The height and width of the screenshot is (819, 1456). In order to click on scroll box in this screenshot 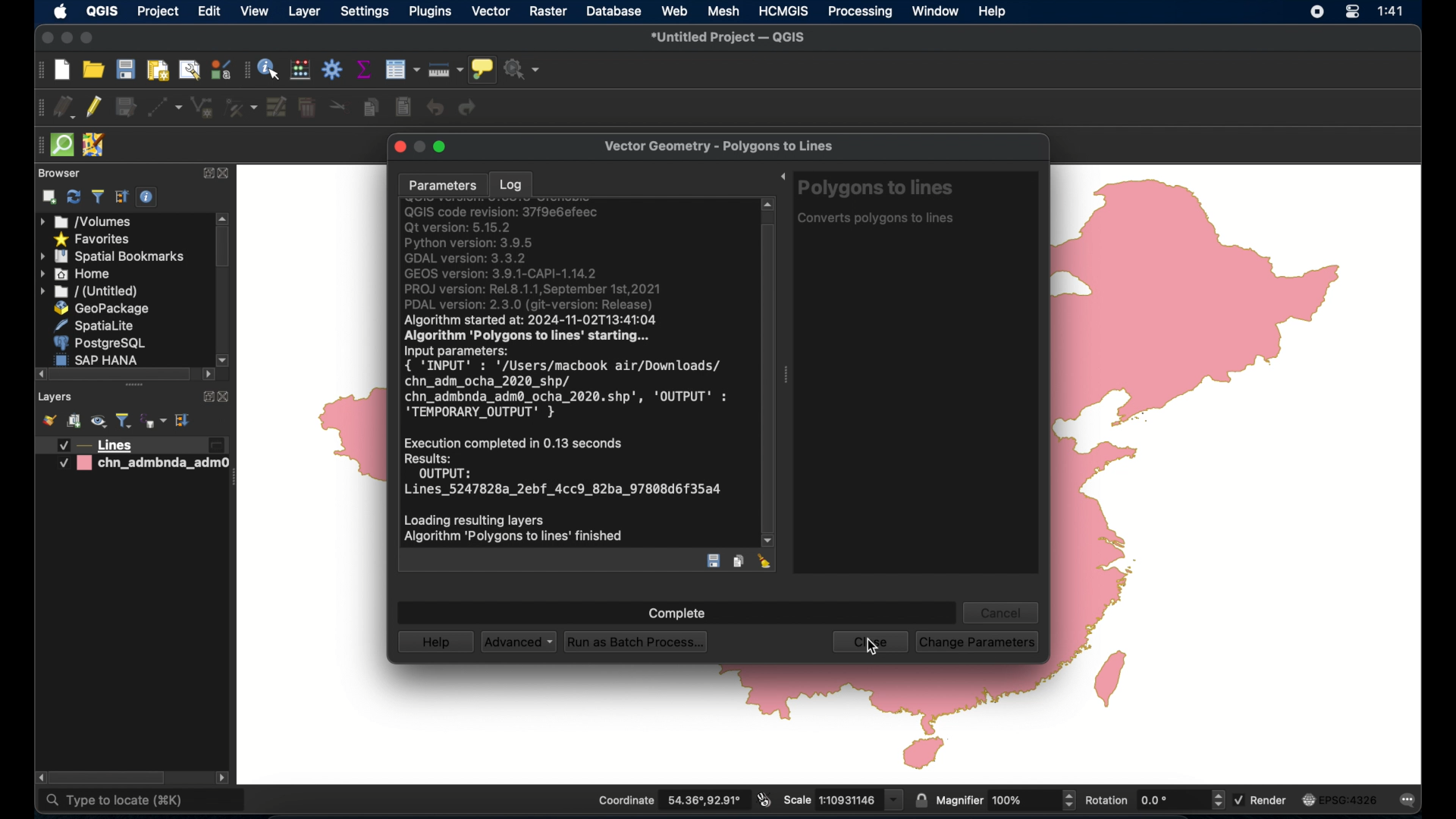, I will do `click(222, 249)`.